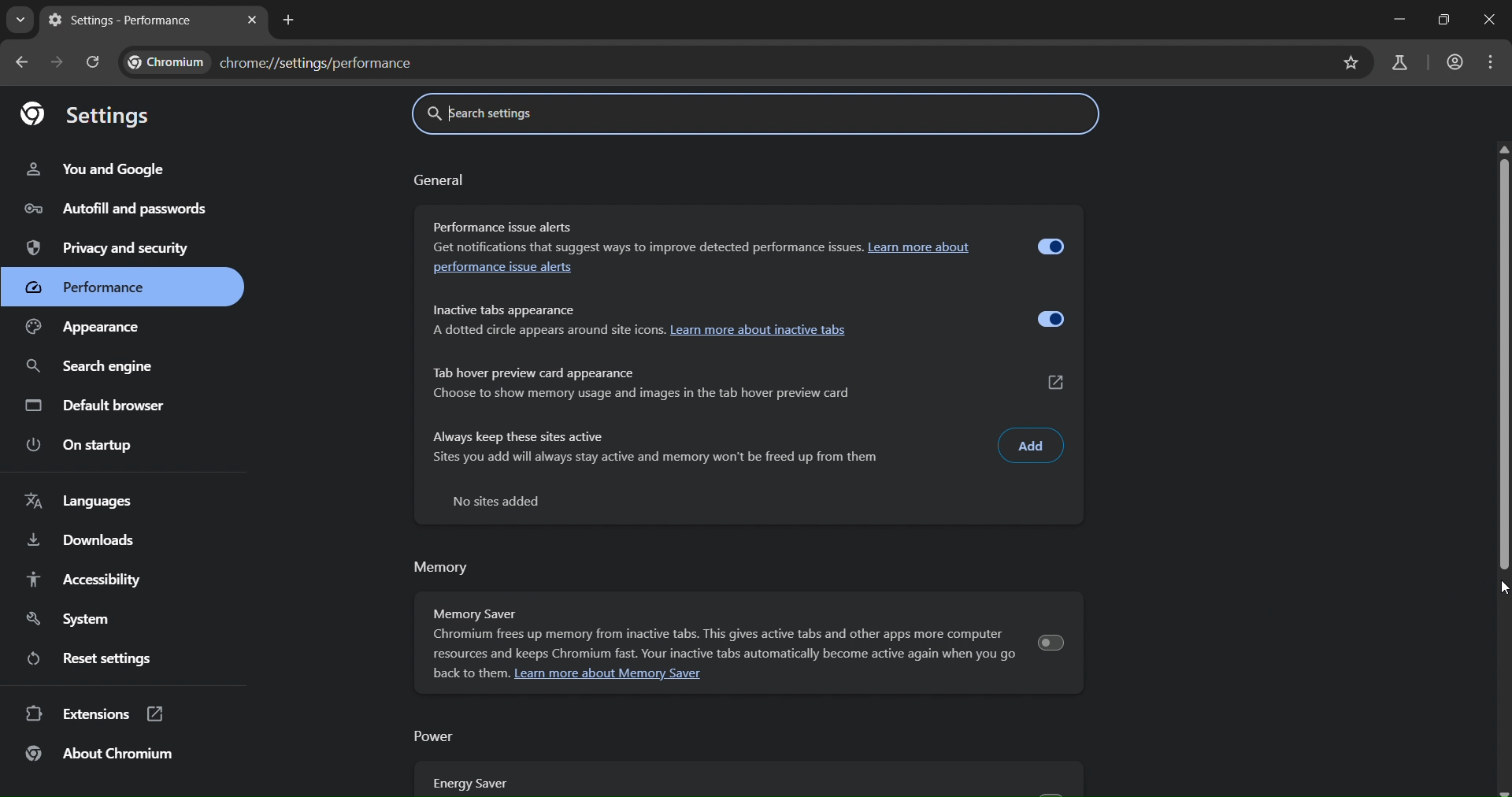 The width and height of the screenshot is (1512, 797). What do you see at coordinates (529, 114) in the screenshot?
I see `search settings` at bounding box center [529, 114].